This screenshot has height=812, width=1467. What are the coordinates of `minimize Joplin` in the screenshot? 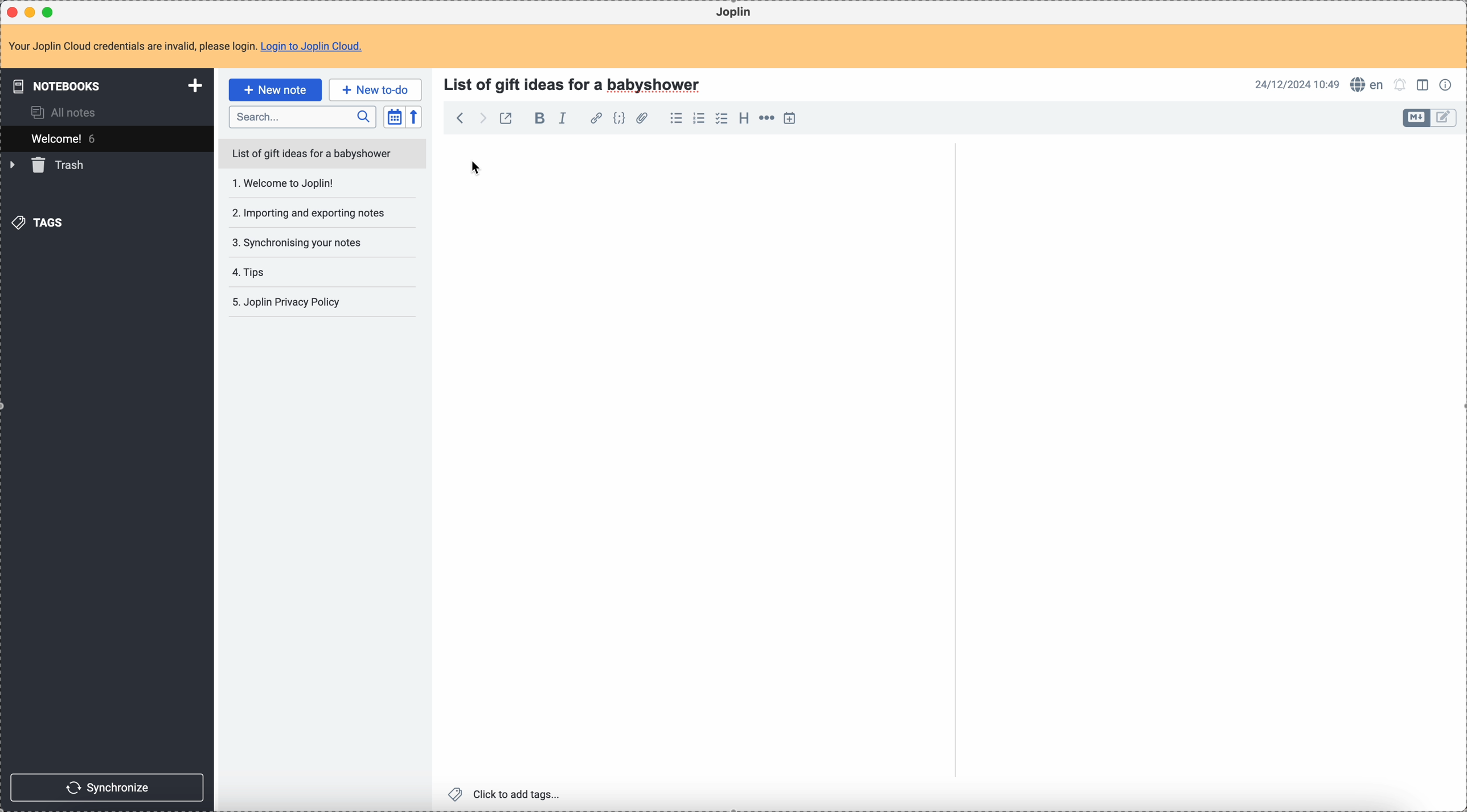 It's located at (32, 12).